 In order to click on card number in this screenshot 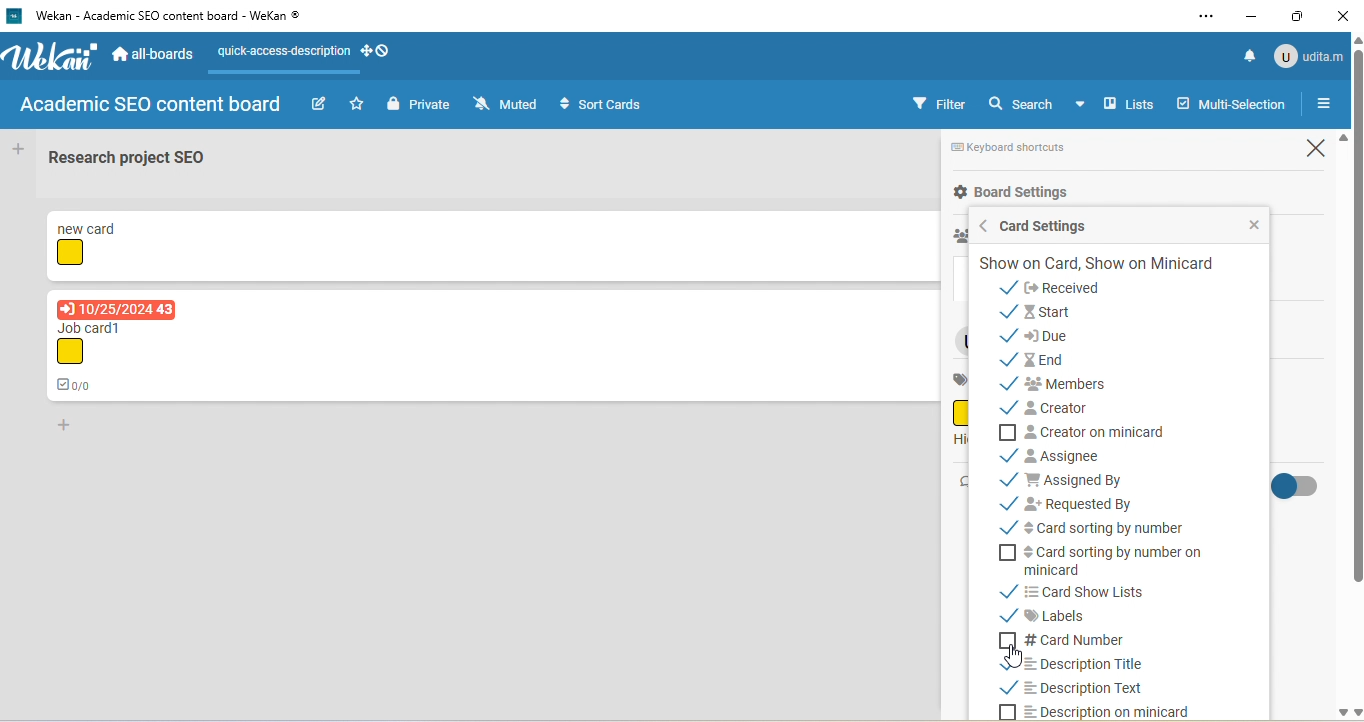, I will do `click(1071, 637)`.